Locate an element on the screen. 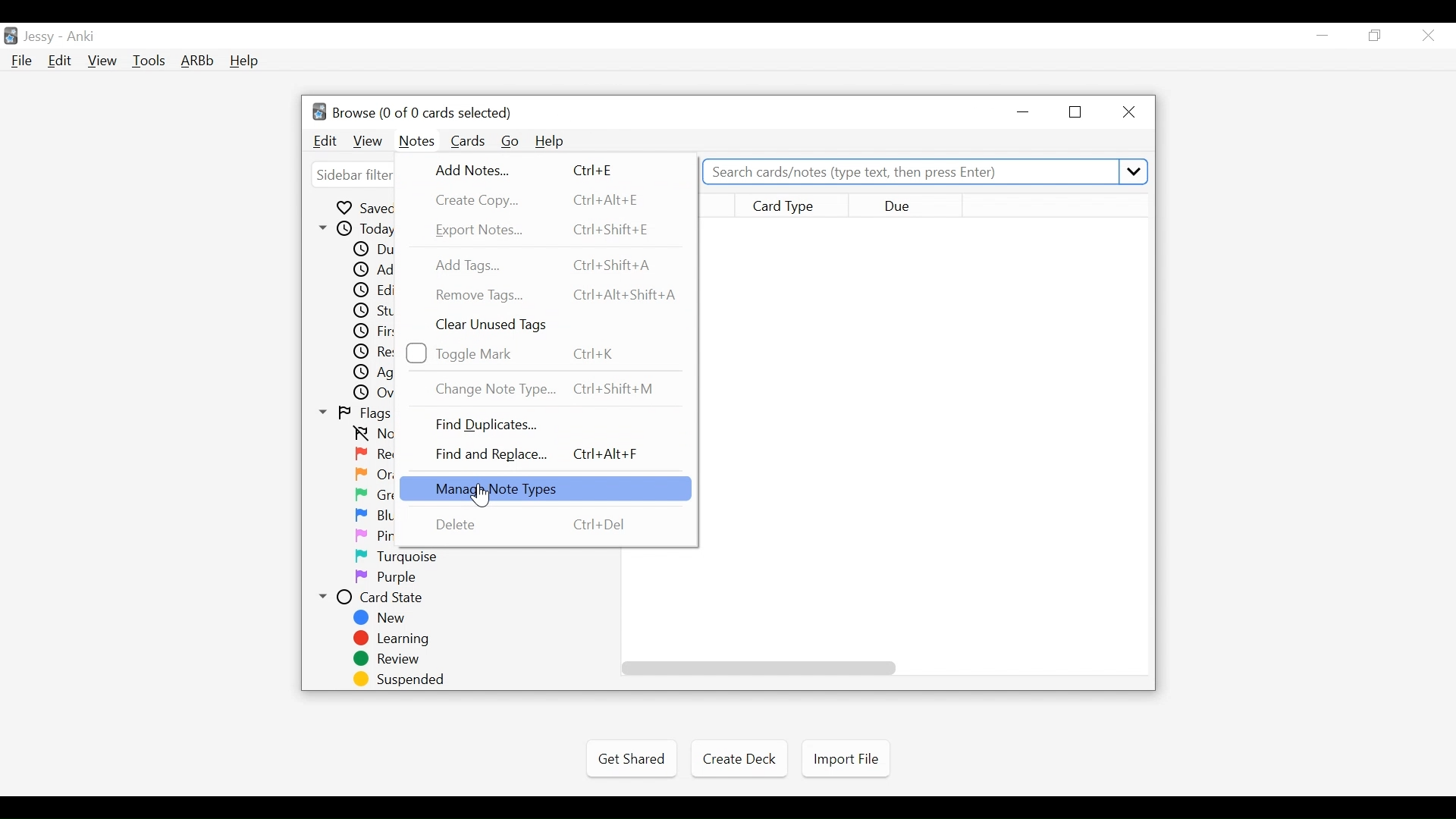  Find Duplicates is located at coordinates (491, 424).